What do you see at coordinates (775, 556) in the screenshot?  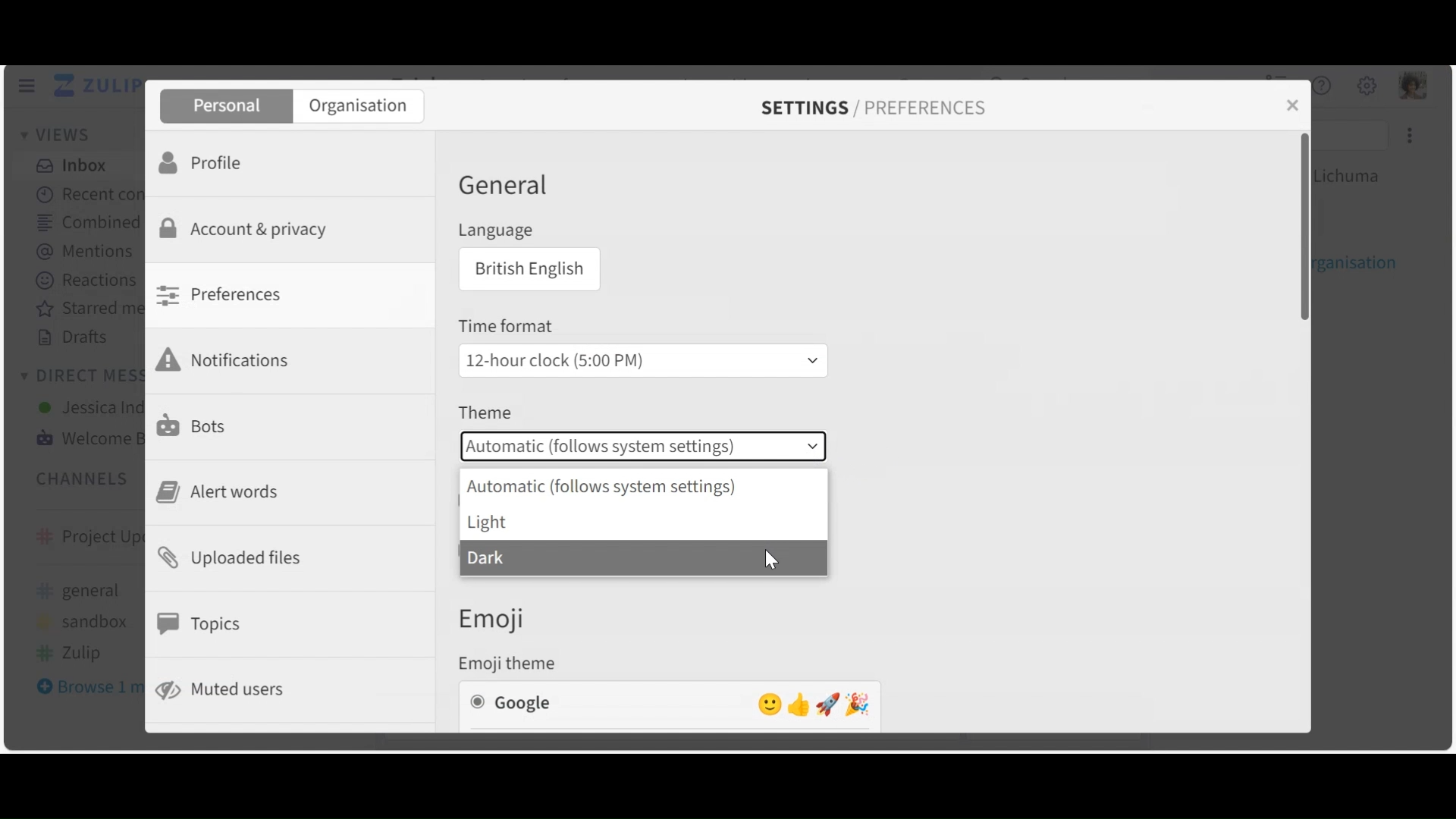 I see `Cursor` at bounding box center [775, 556].